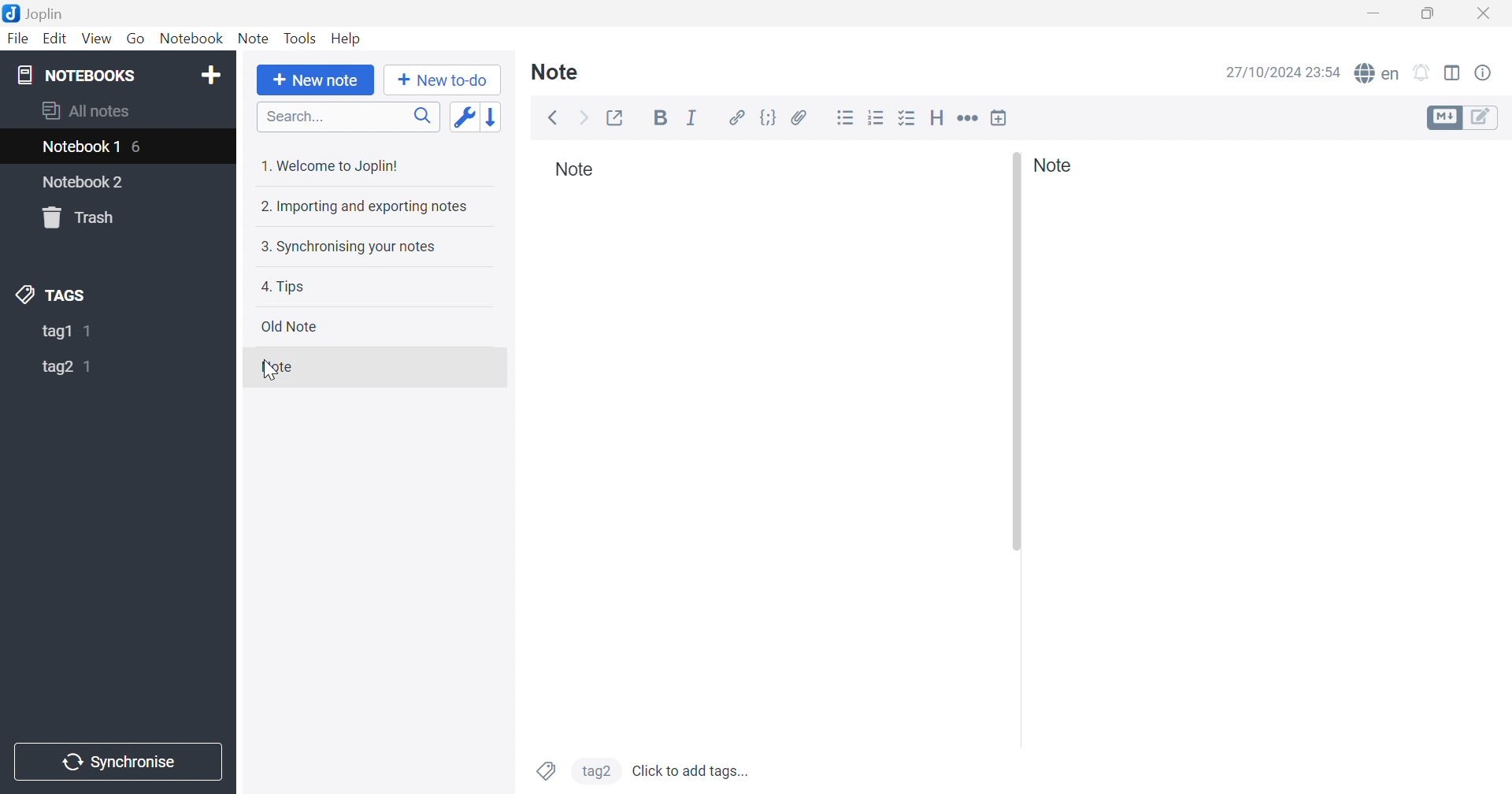  I want to click on Toggle editors, so click(1466, 117).